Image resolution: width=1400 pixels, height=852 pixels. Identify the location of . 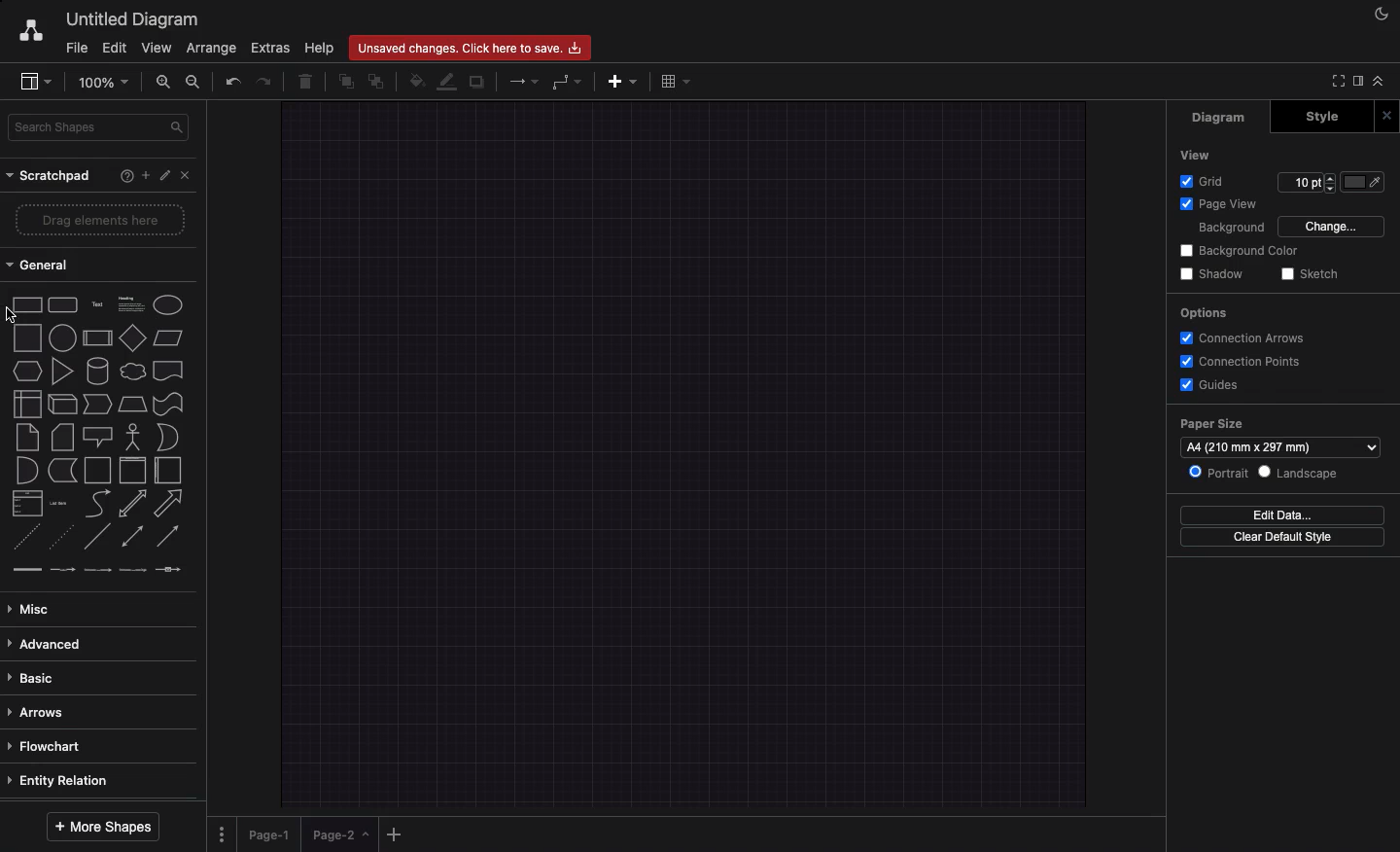
(132, 337).